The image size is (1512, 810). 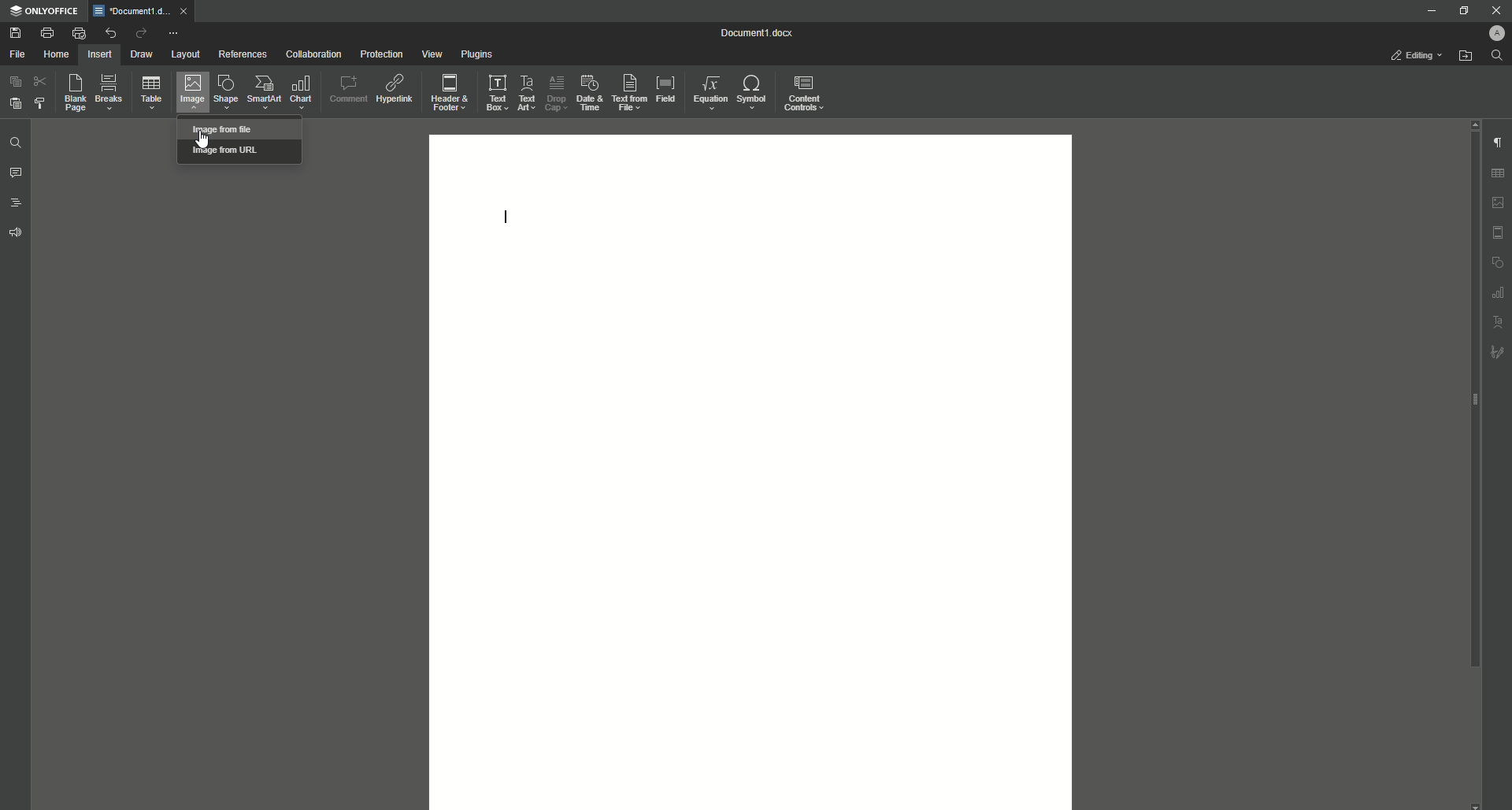 What do you see at coordinates (228, 130) in the screenshot?
I see `Image from file` at bounding box center [228, 130].